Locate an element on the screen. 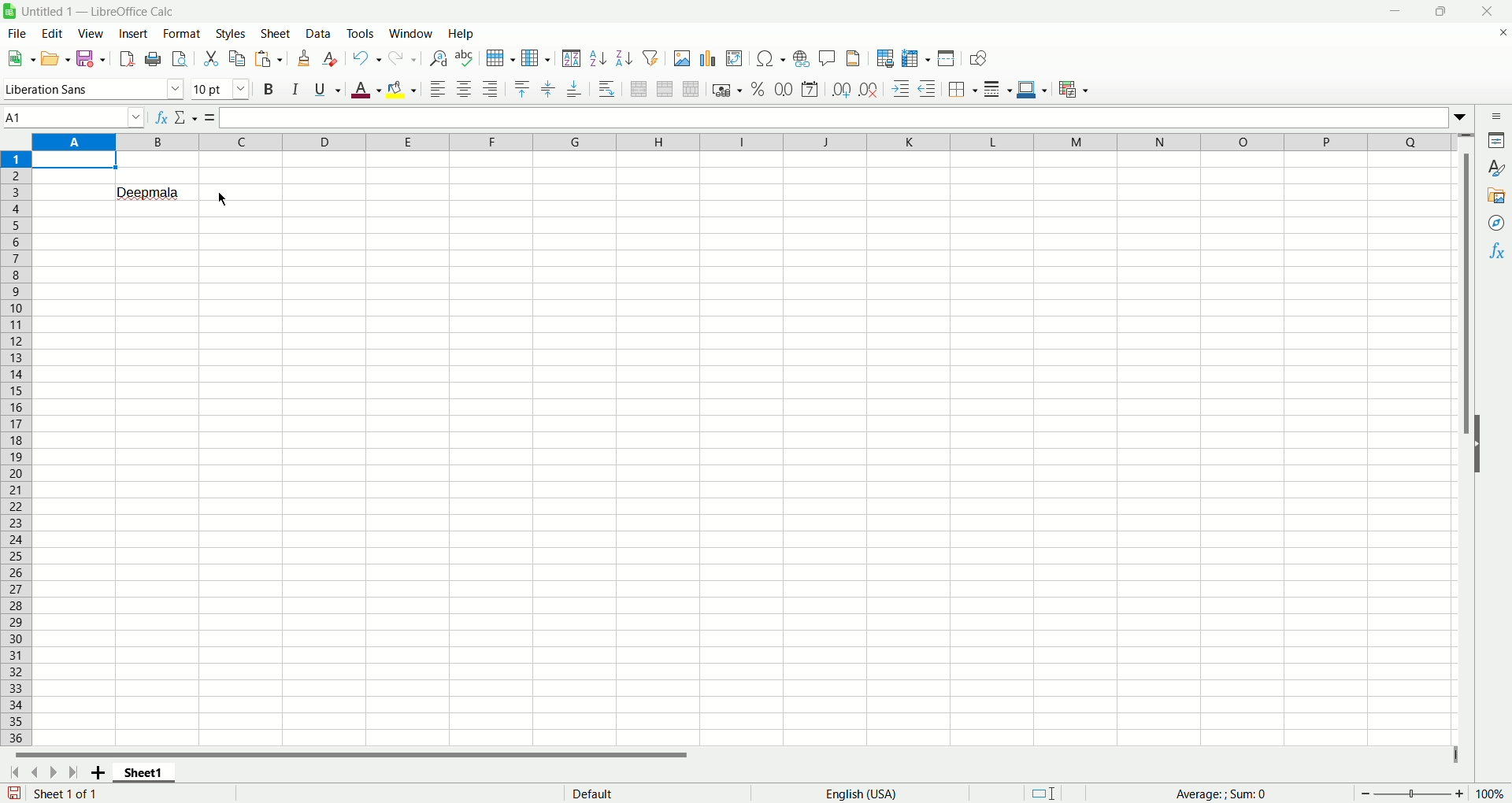  Clone formatting is located at coordinates (304, 58).